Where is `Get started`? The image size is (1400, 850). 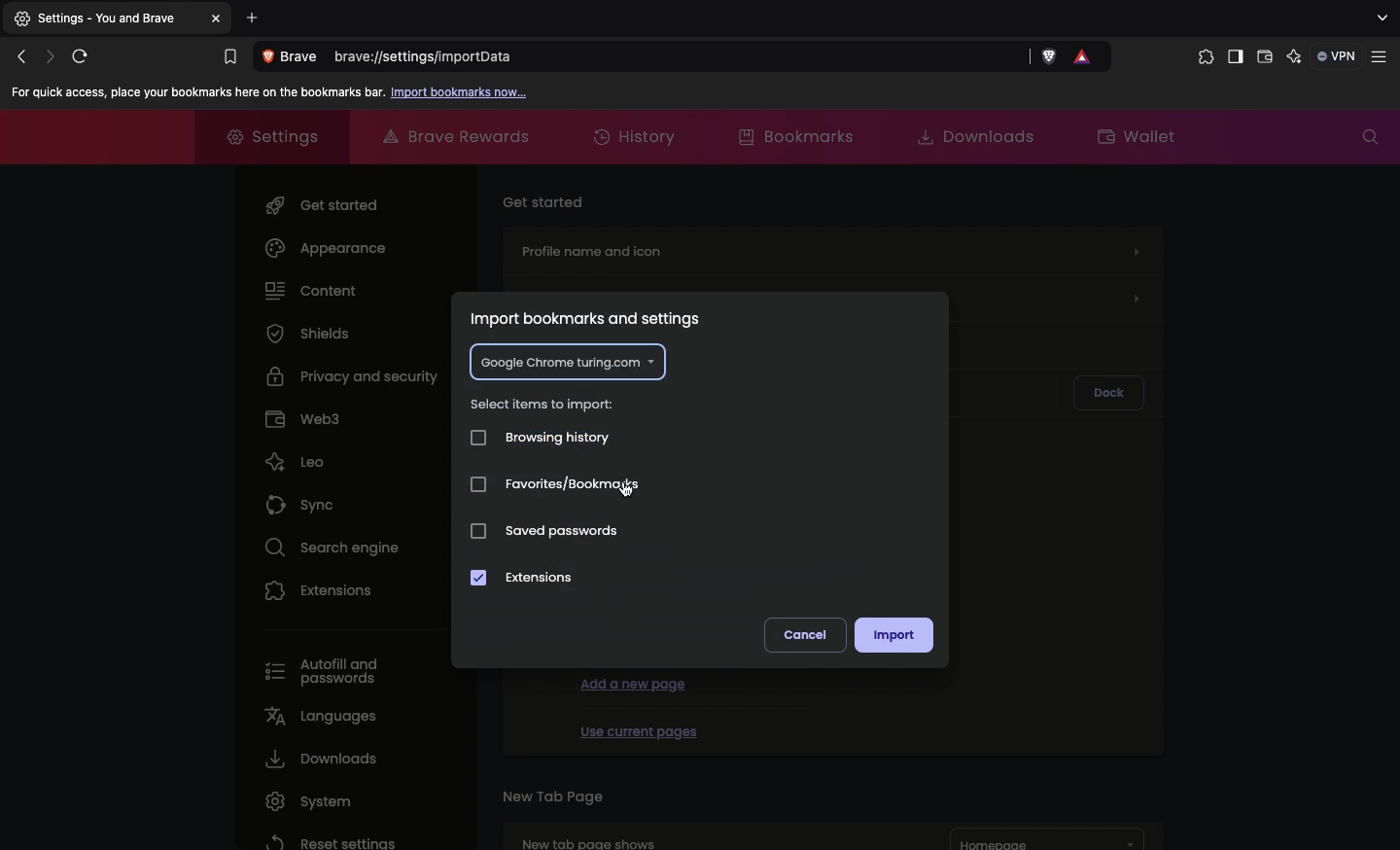 Get started is located at coordinates (326, 201).